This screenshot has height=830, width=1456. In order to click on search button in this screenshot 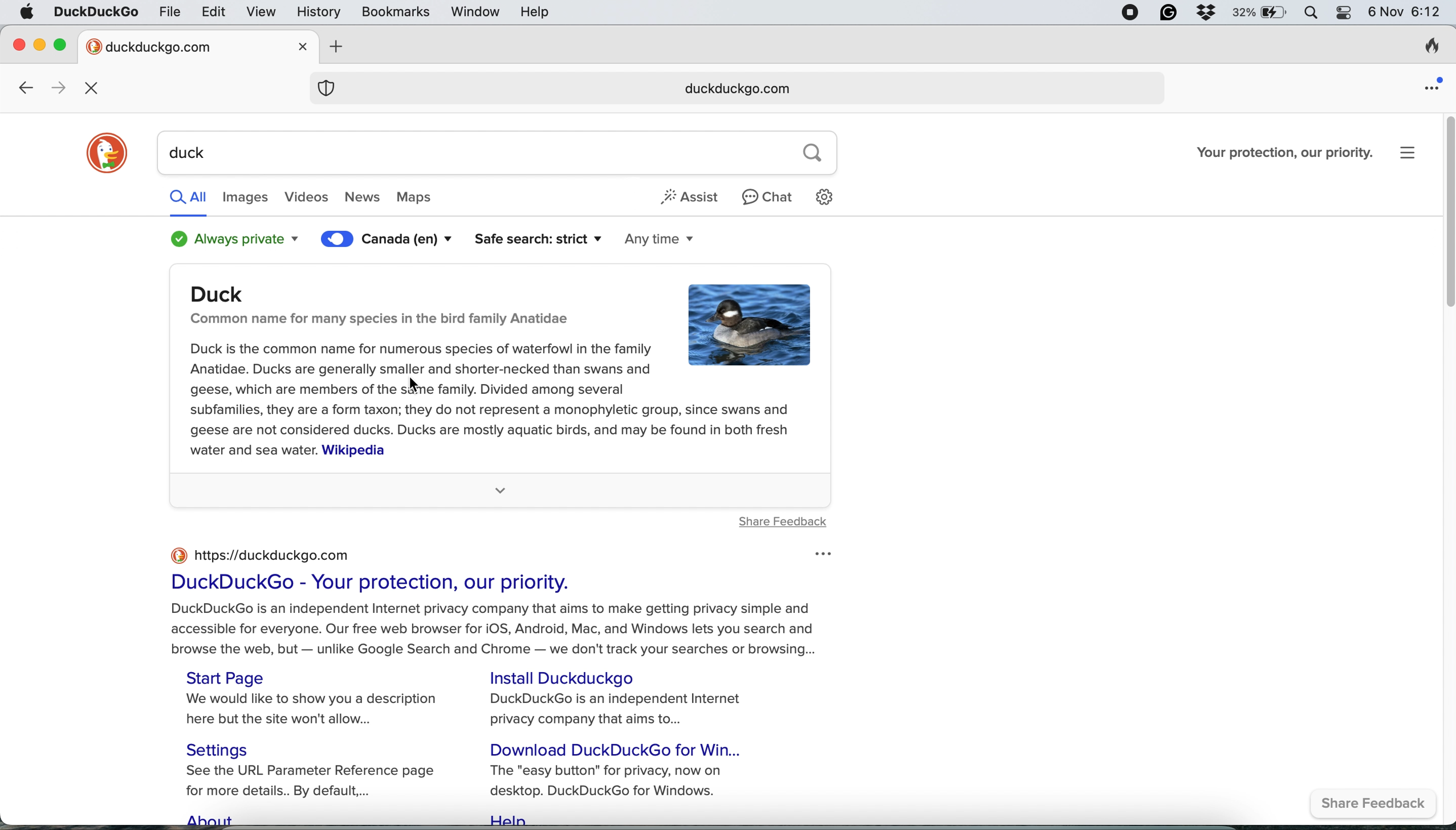, I will do `click(813, 153)`.